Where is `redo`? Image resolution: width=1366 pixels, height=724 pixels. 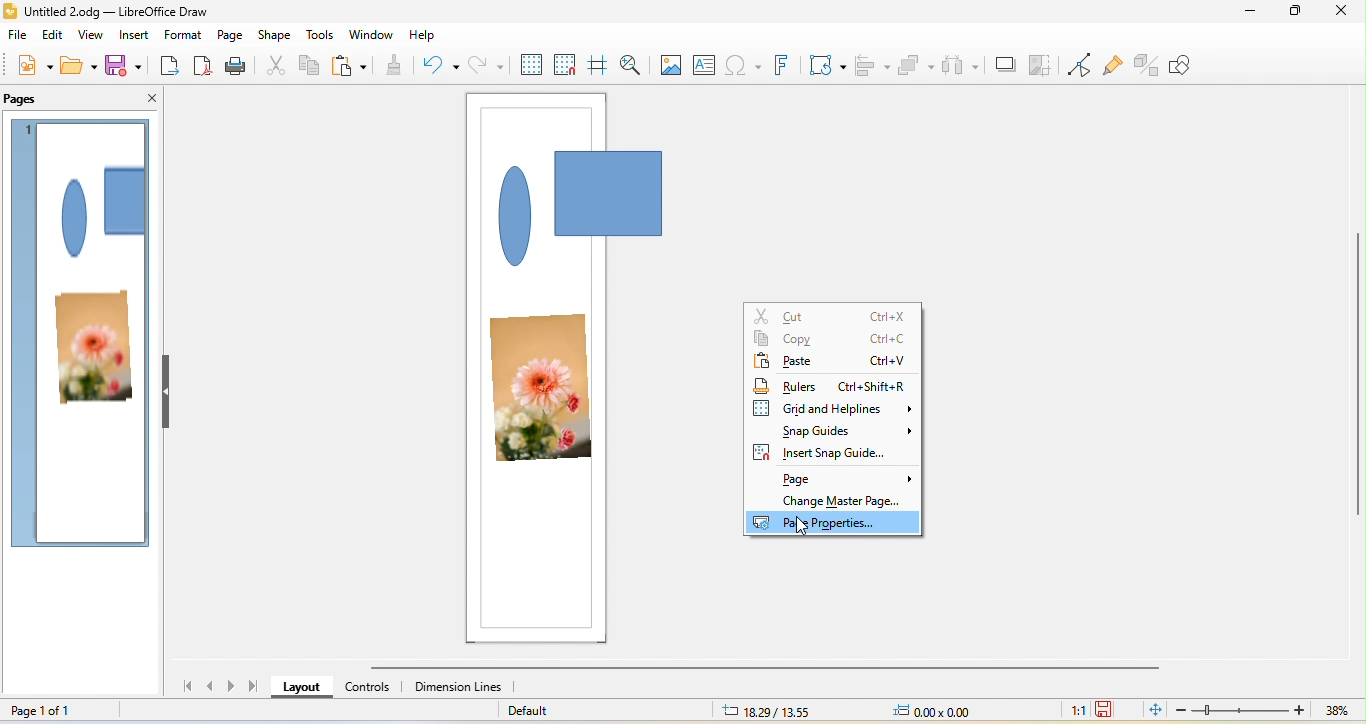 redo is located at coordinates (486, 70).